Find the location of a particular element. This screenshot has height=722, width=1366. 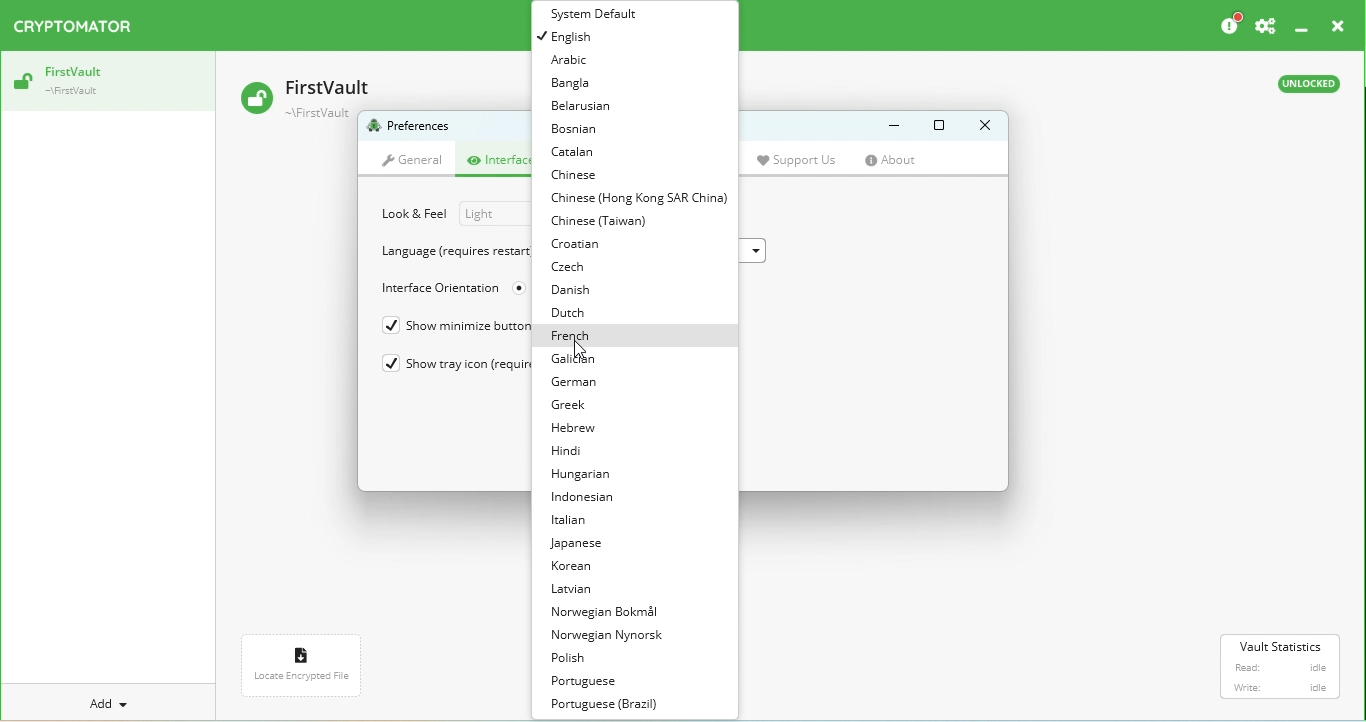

Polish is located at coordinates (580, 662).